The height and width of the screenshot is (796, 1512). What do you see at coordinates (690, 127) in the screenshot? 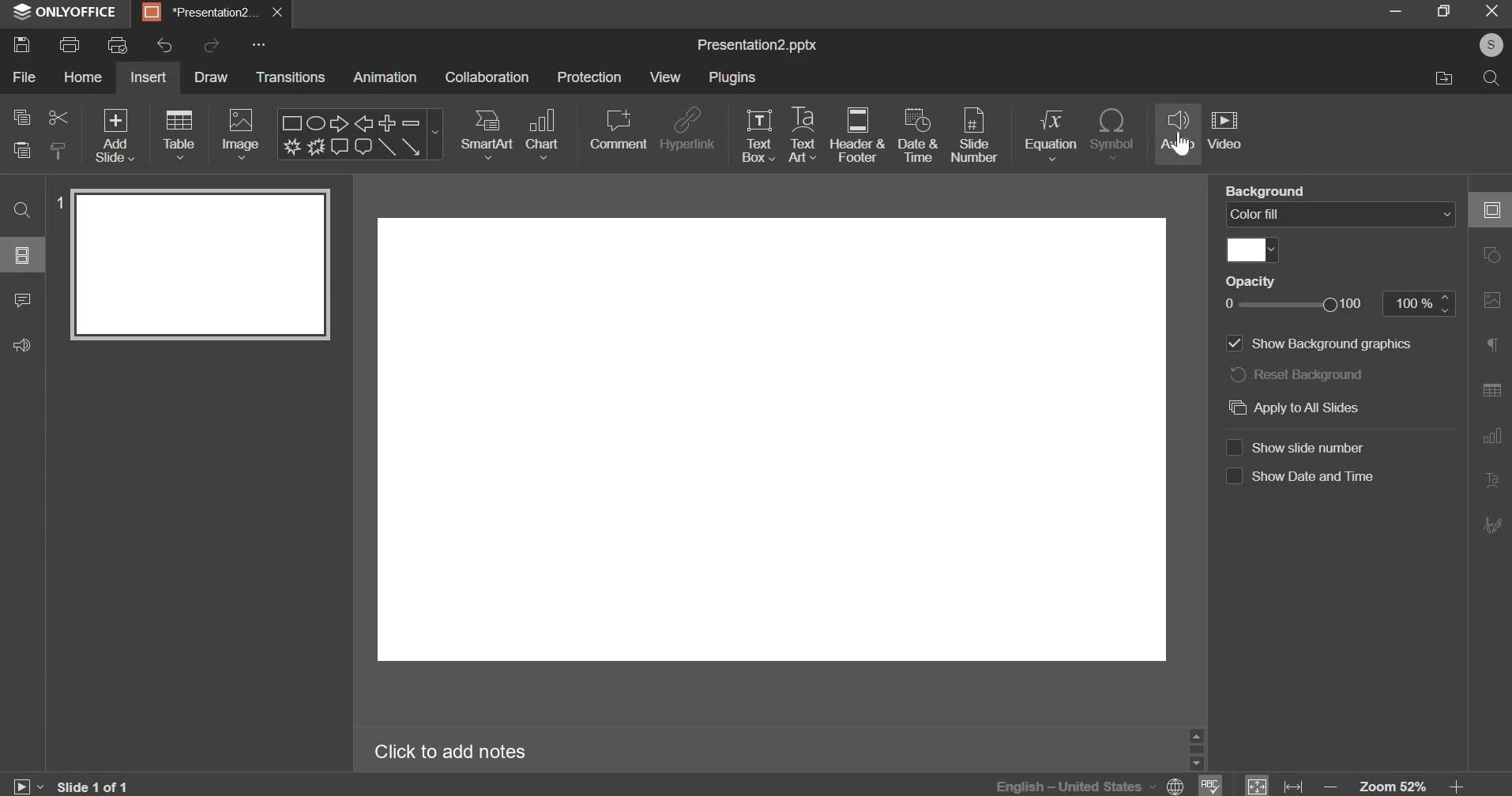
I see `hyperlink` at bounding box center [690, 127].